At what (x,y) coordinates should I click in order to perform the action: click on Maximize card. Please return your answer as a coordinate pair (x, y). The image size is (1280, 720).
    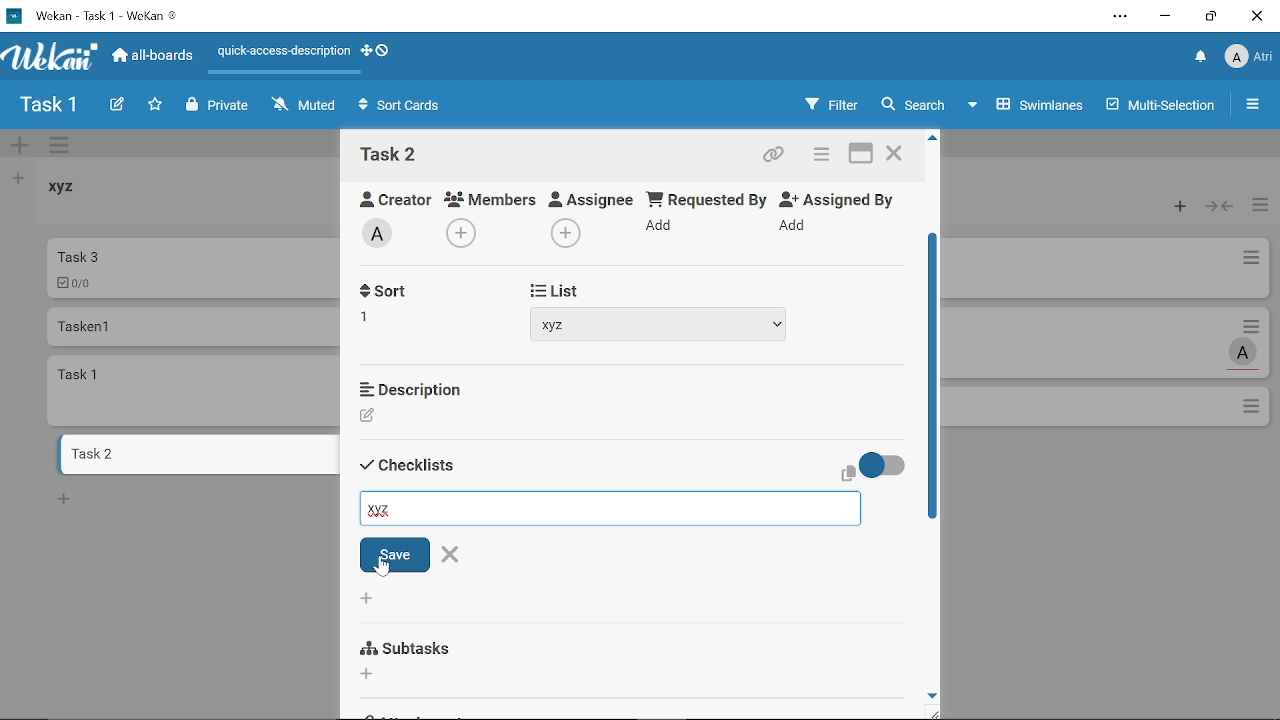
    Looking at the image, I should click on (861, 156).